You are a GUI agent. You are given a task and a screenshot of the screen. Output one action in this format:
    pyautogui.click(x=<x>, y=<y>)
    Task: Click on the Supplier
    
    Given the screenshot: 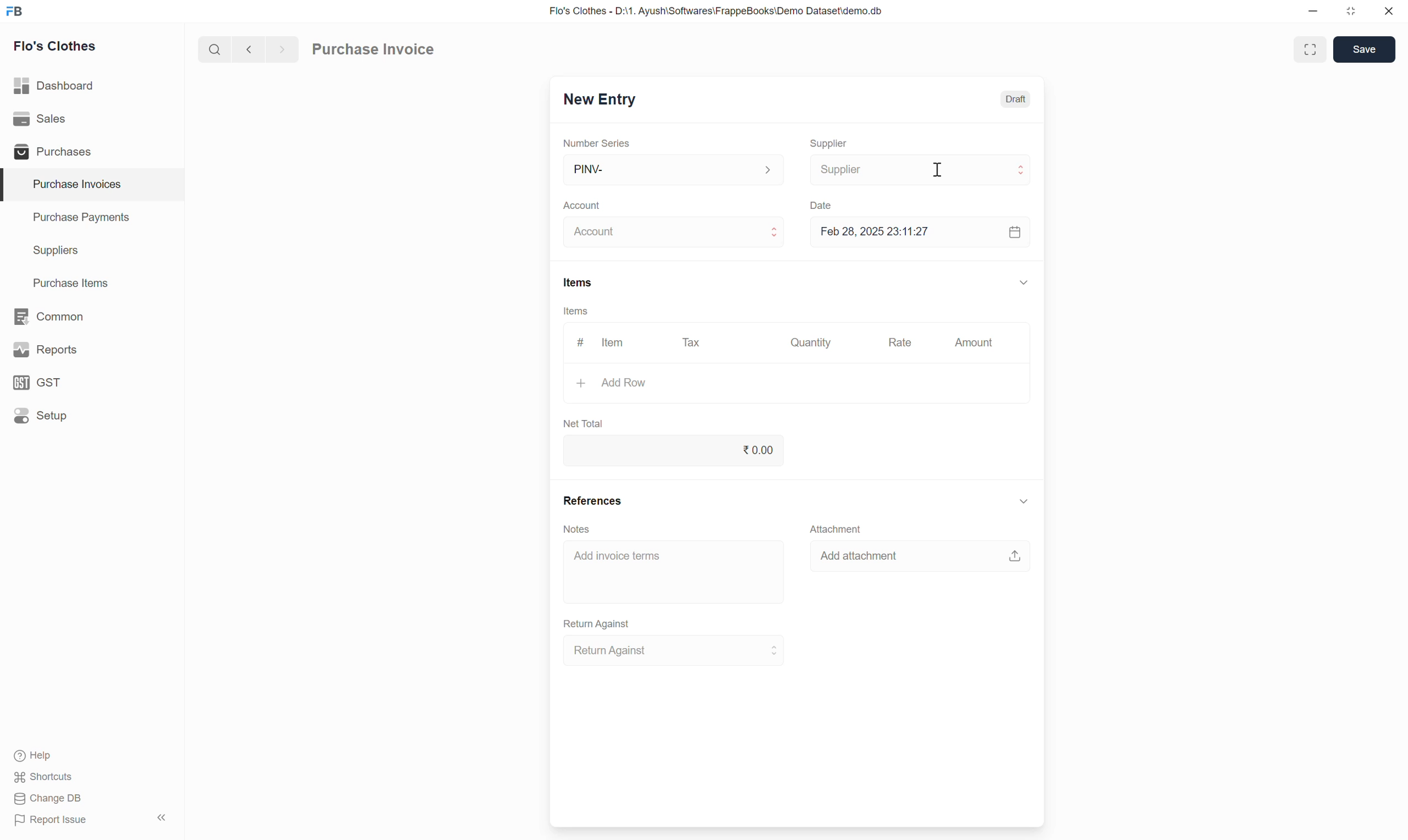 What is the action you would take?
    pyautogui.click(x=829, y=144)
    